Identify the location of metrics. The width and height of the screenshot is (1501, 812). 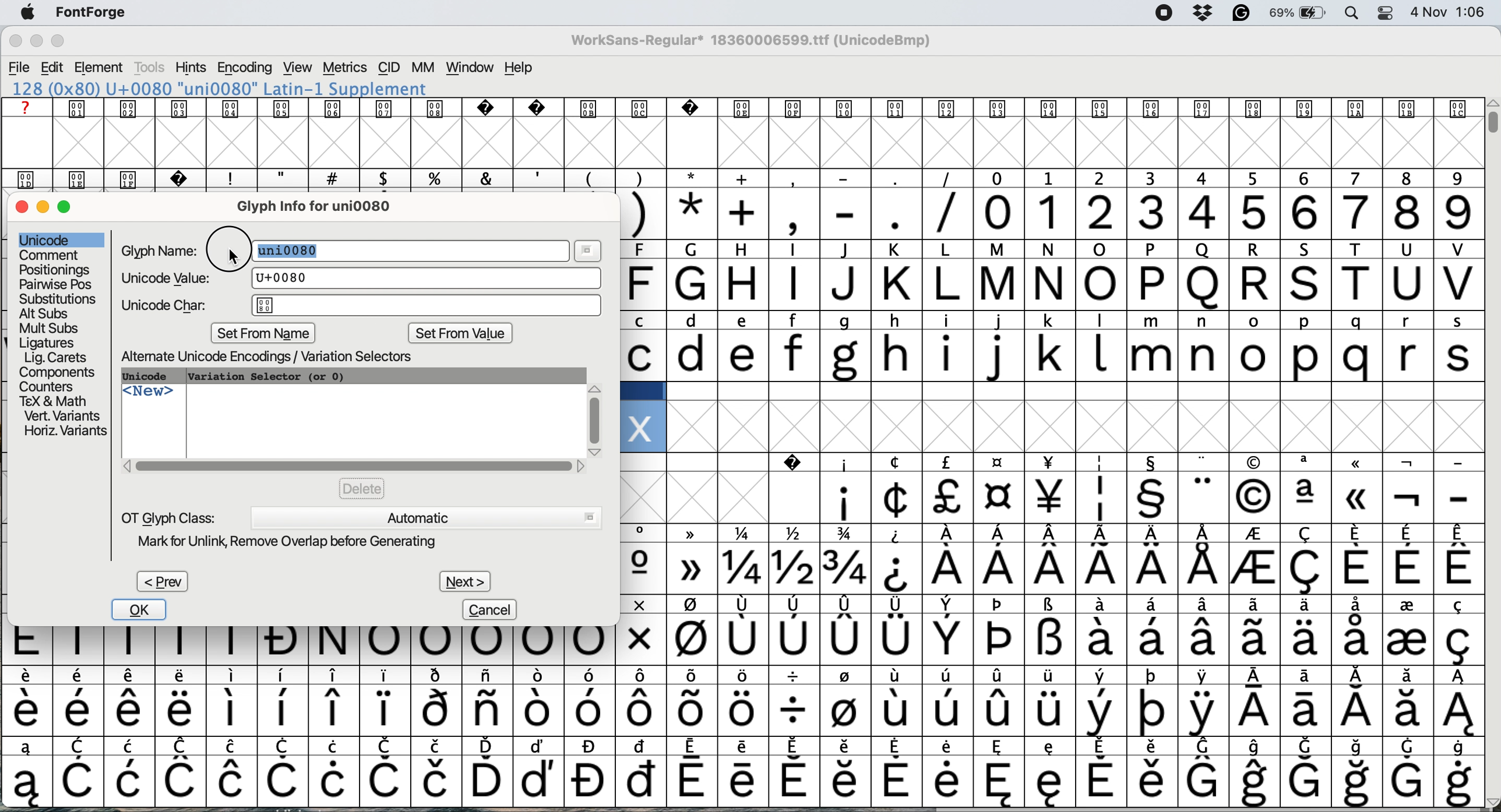
(346, 68).